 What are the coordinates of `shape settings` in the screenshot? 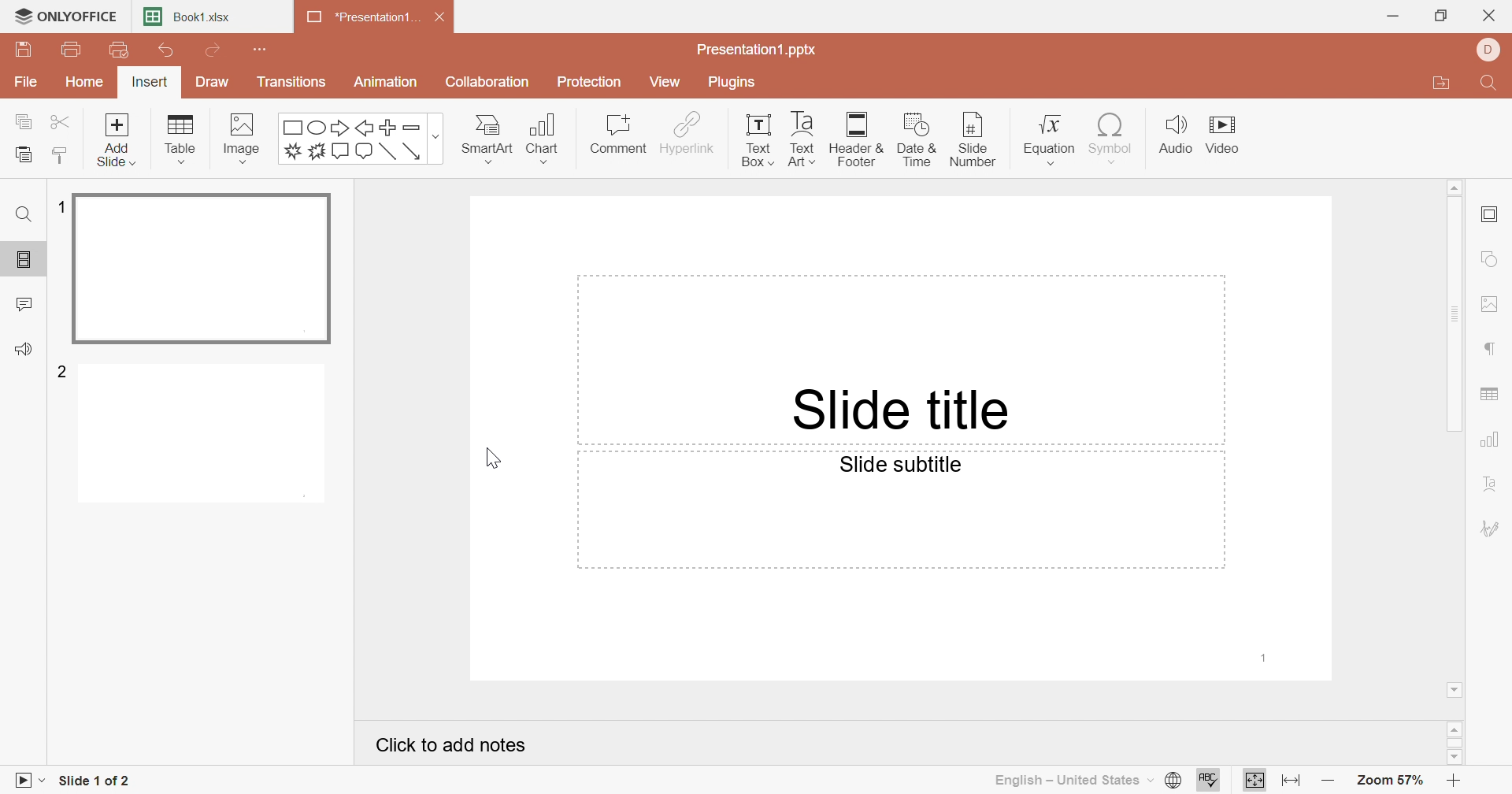 It's located at (1496, 261).